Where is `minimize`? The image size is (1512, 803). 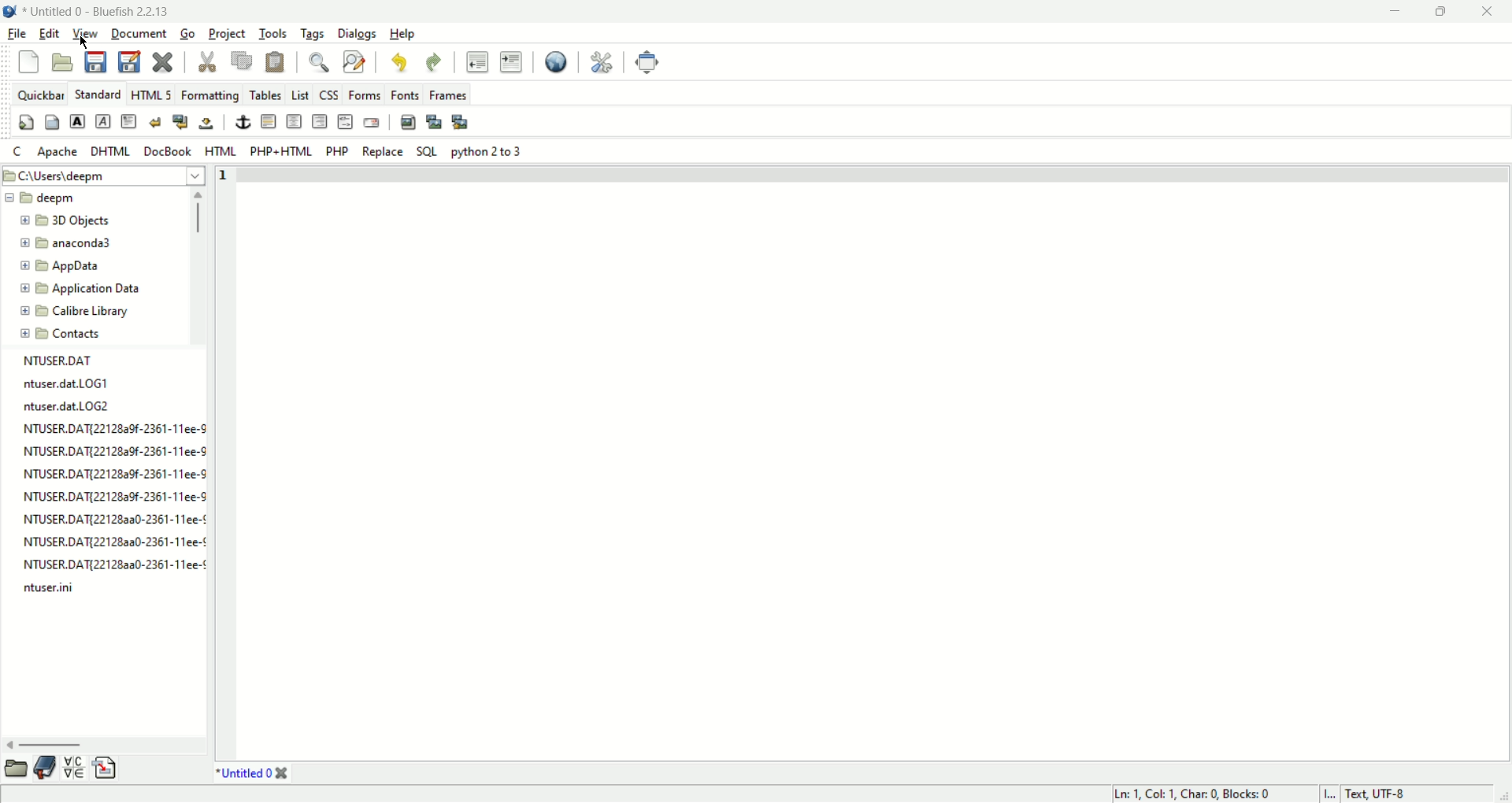
minimize is located at coordinates (1398, 11).